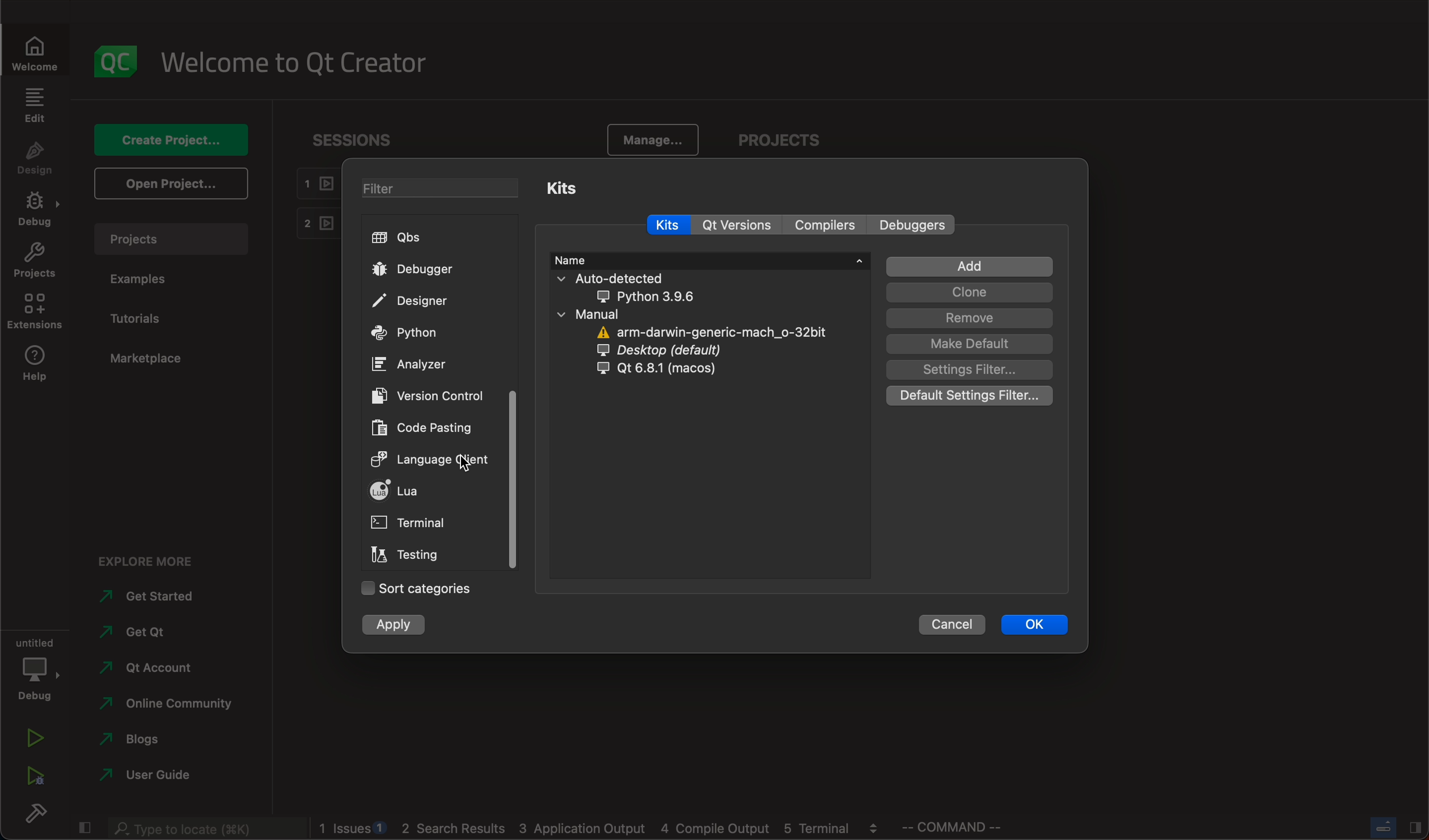 The width and height of the screenshot is (1429, 840). I want to click on started, so click(147, 600).